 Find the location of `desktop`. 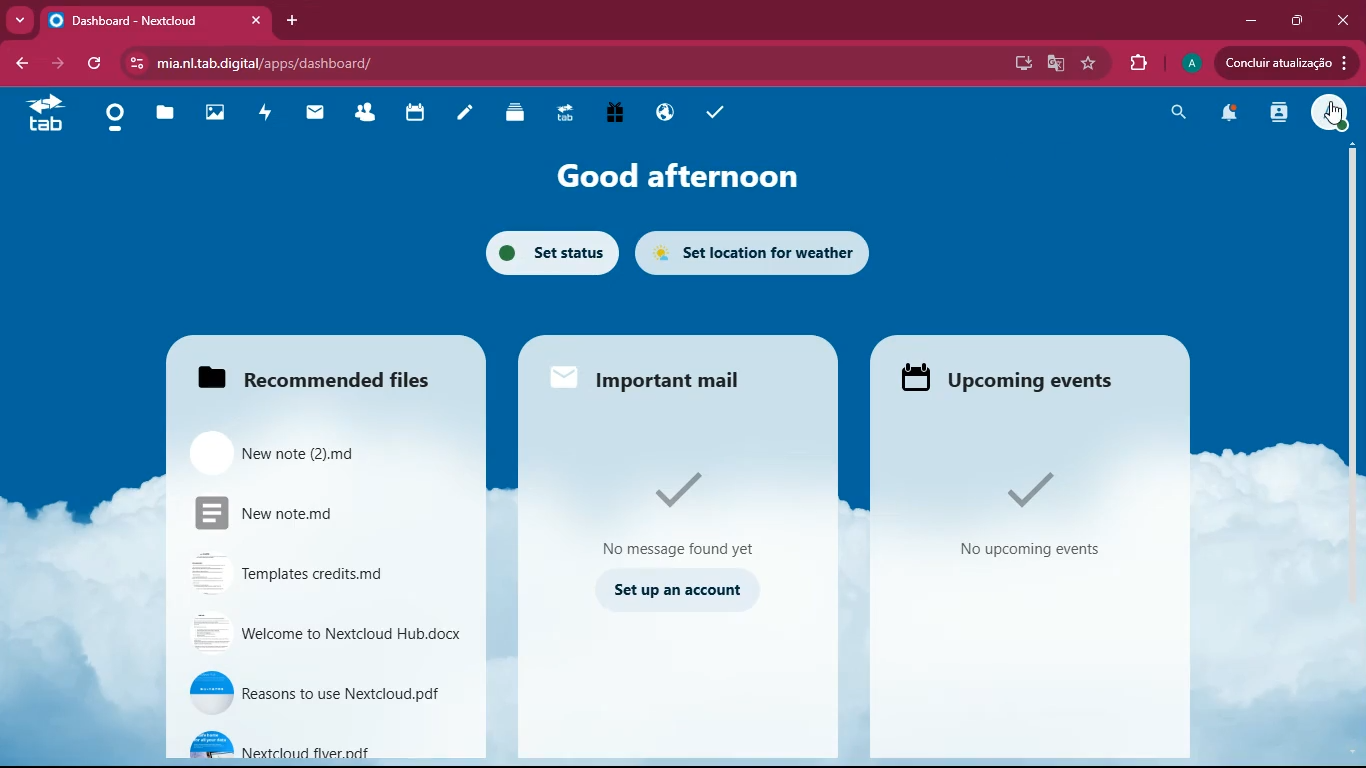

desktop is located at coordinates (1018, 64).